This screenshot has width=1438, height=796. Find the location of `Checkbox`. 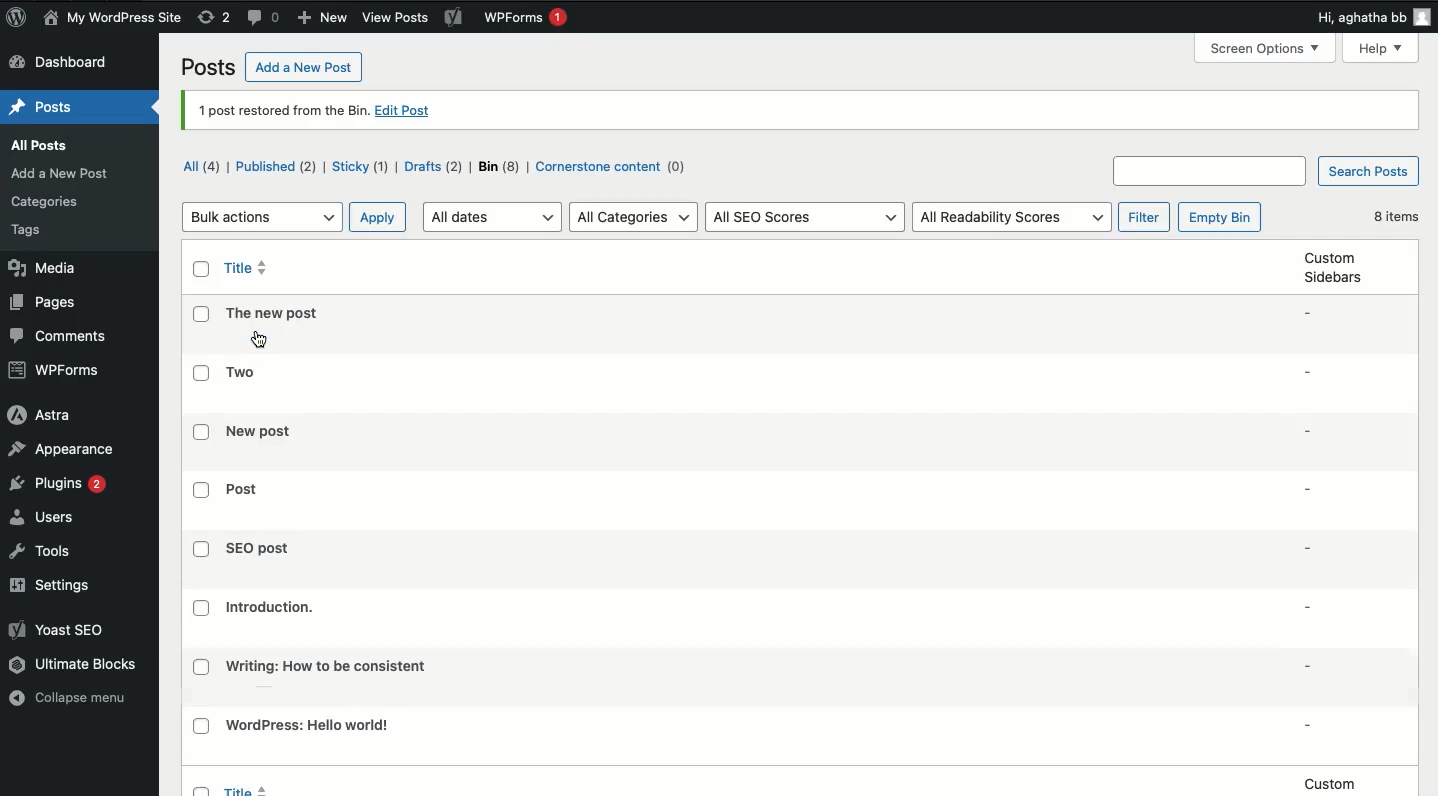

Checkbox is located at coordinates (203, 314).